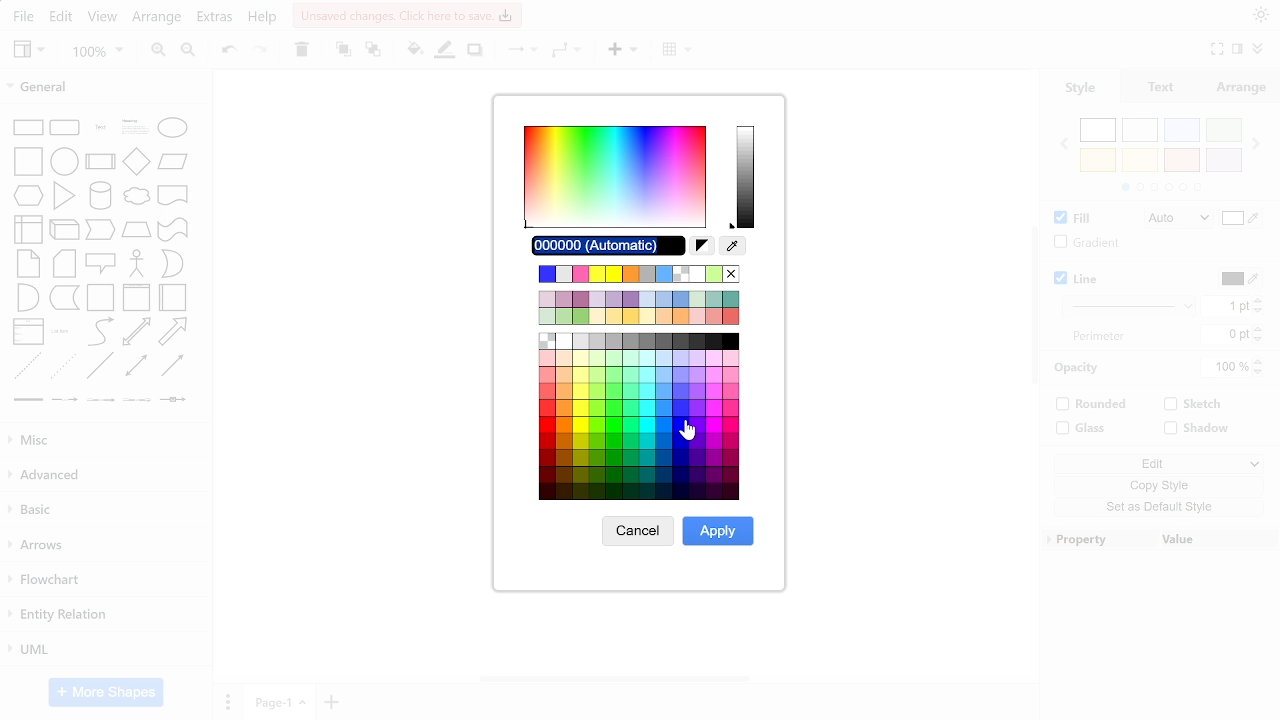 This screenshot has width=1280, height=720. I want to click on fill color, so click(1242, 220).